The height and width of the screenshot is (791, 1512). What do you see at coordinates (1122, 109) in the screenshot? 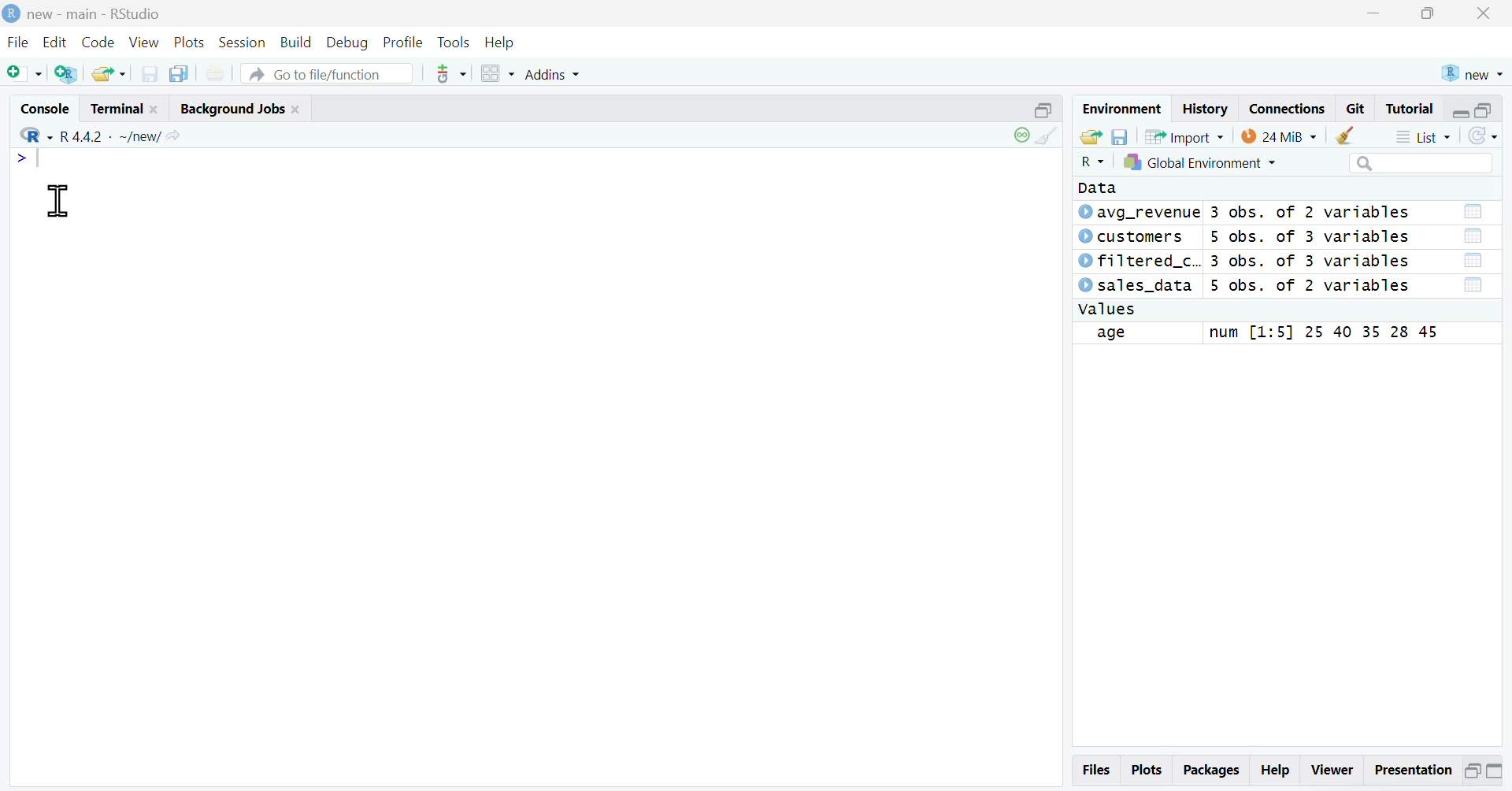
I see `Environment` at bounding box center [1122, 109].